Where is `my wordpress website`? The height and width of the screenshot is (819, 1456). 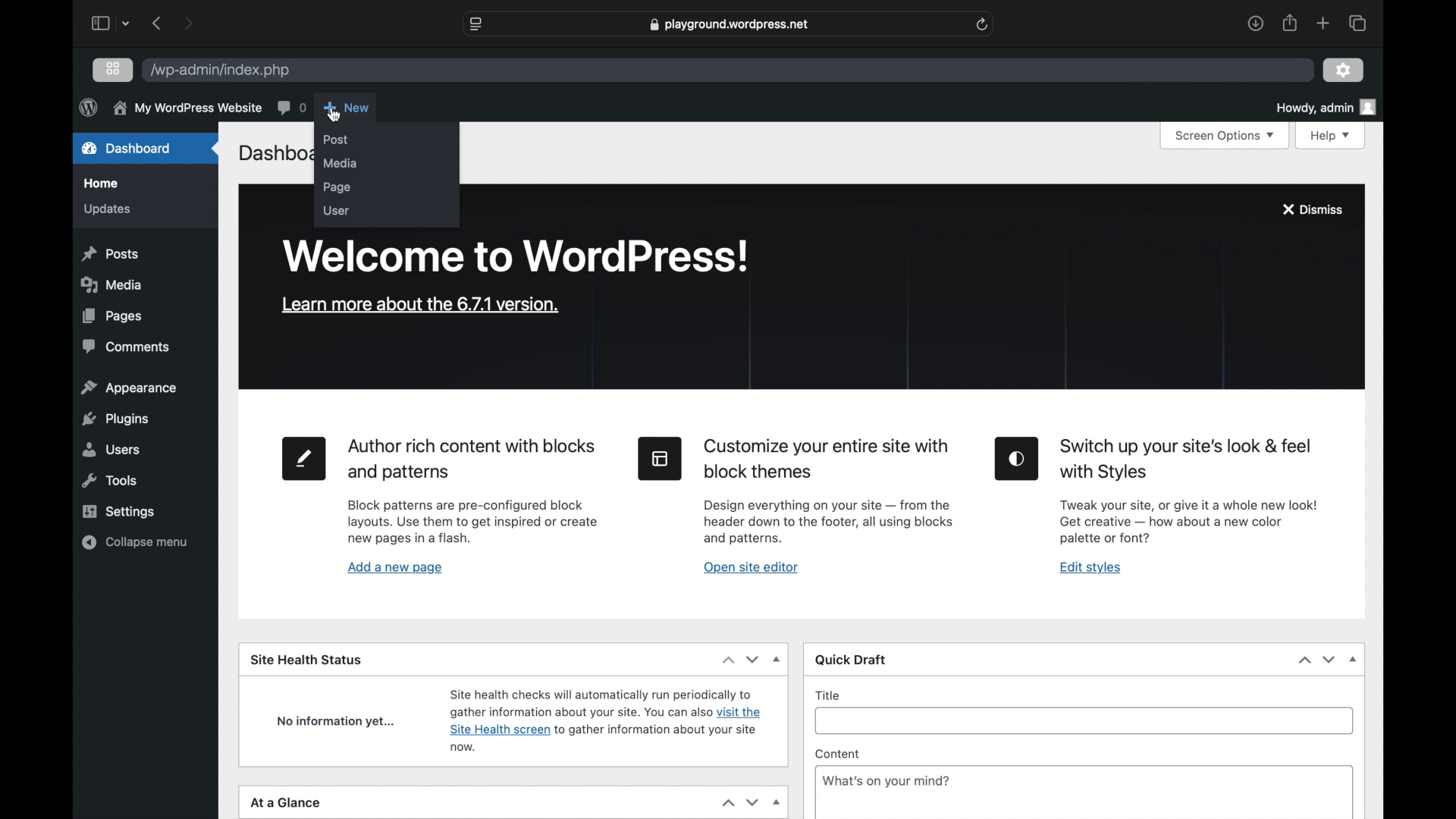
my wordpress website is located at coordinates (187, 108).